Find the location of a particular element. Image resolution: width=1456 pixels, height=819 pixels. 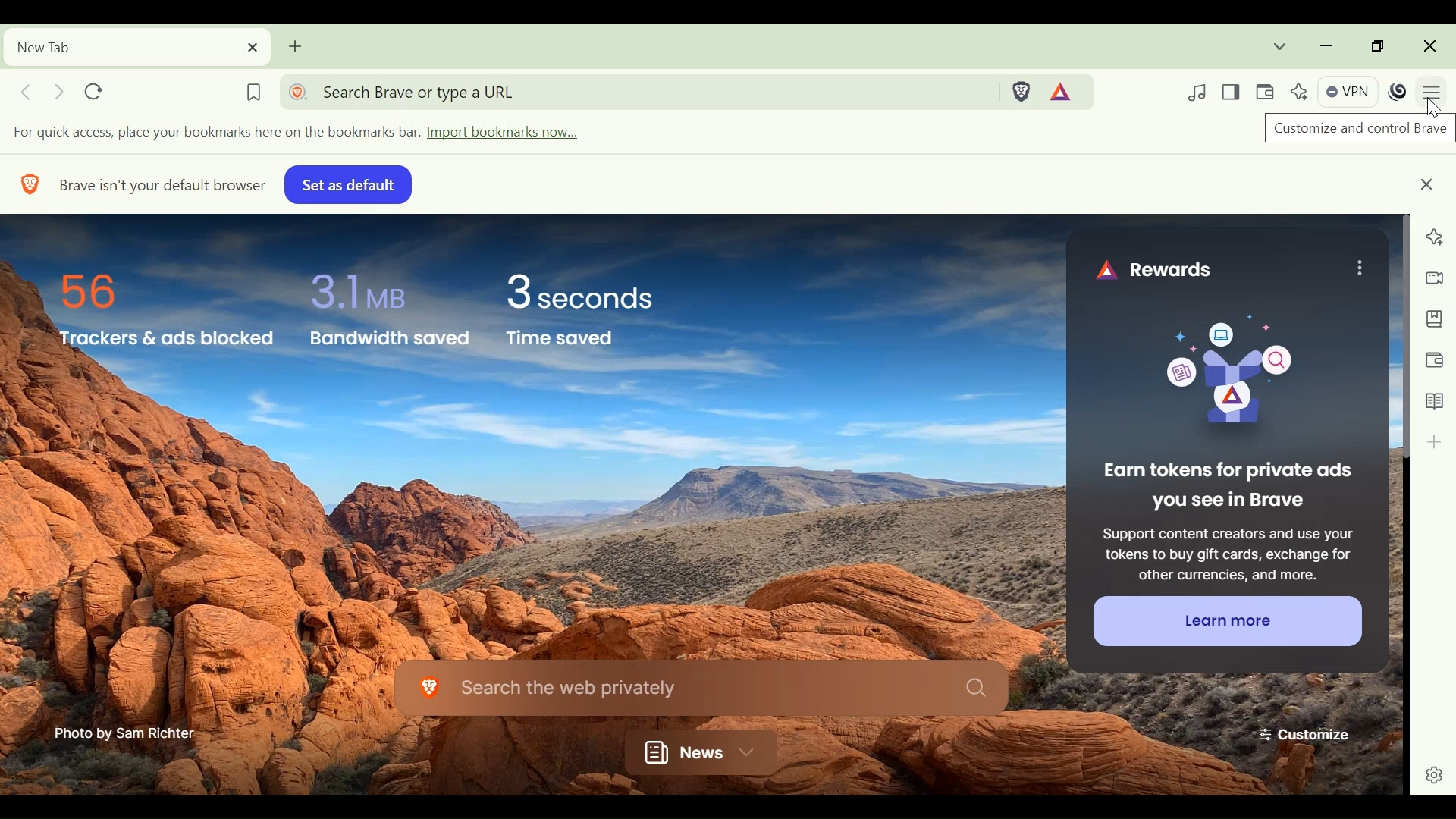

VPN is located at coordinates (1346, 89).